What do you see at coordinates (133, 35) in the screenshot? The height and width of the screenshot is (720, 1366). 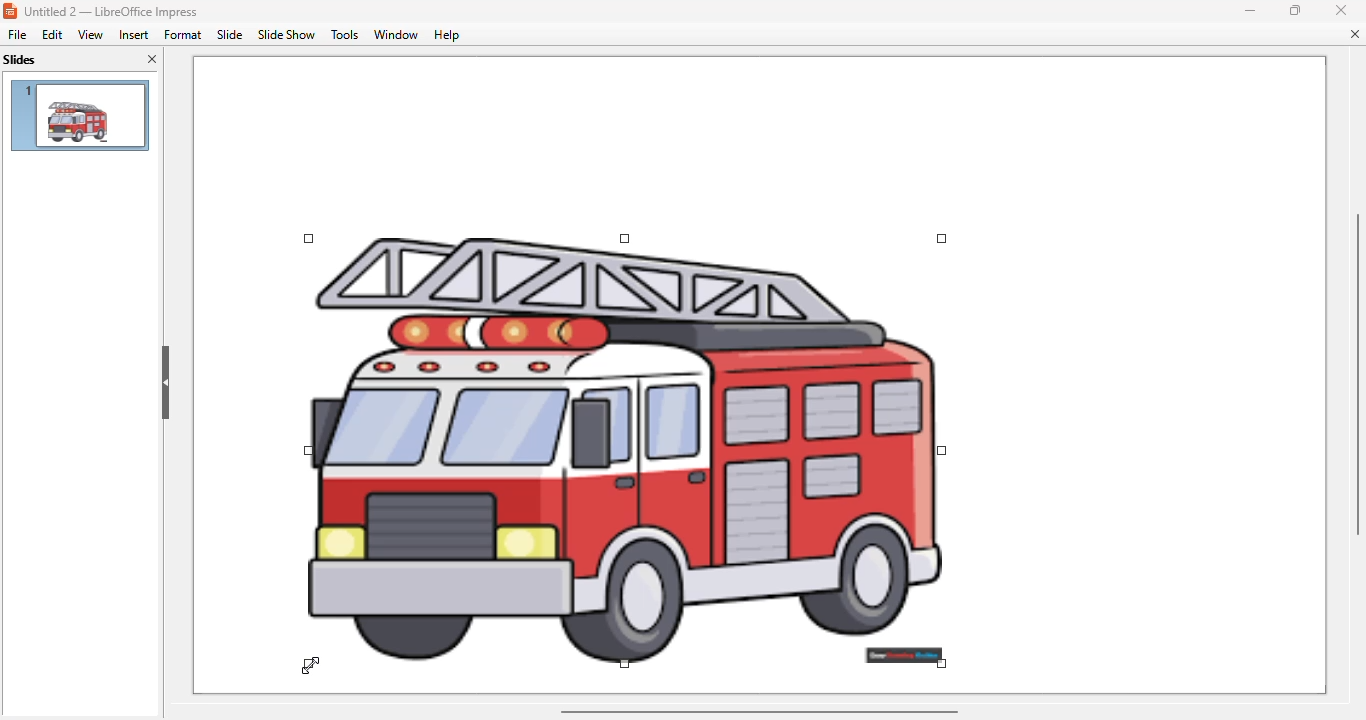 I see `insert` at bounding box center [133, 35].